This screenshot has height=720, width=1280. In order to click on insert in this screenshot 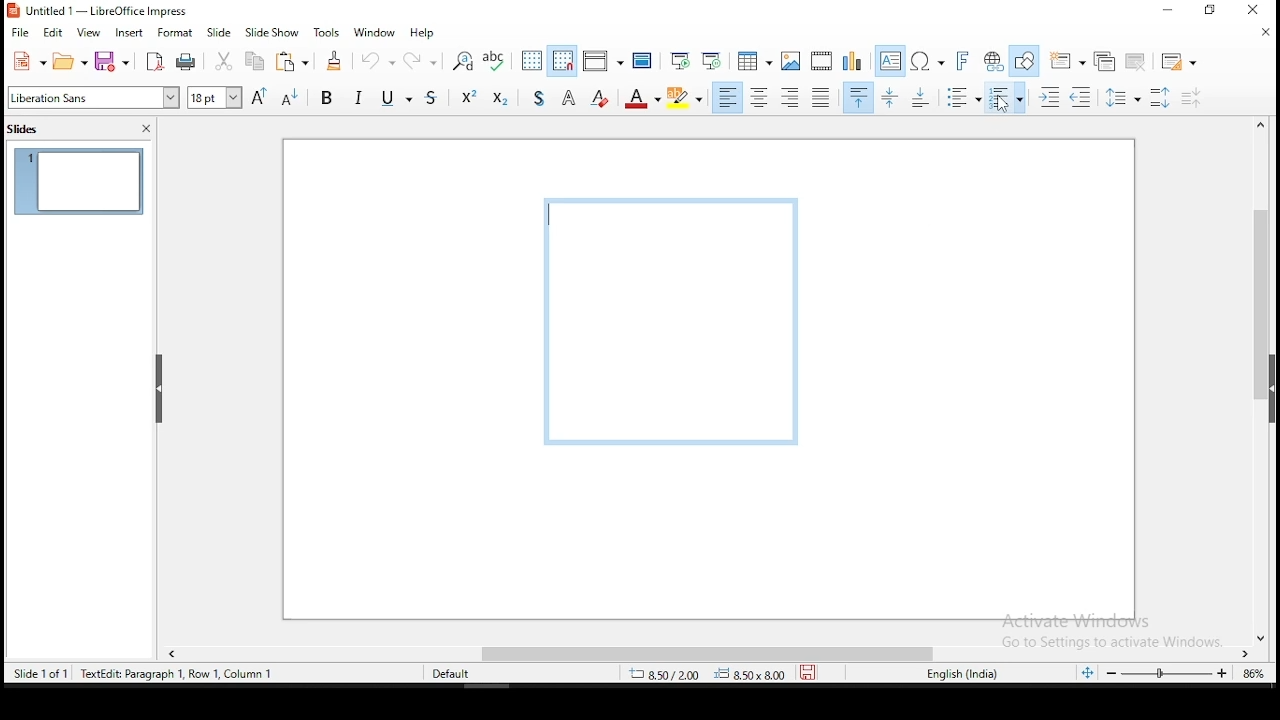, I will do `click(131, 35)`.